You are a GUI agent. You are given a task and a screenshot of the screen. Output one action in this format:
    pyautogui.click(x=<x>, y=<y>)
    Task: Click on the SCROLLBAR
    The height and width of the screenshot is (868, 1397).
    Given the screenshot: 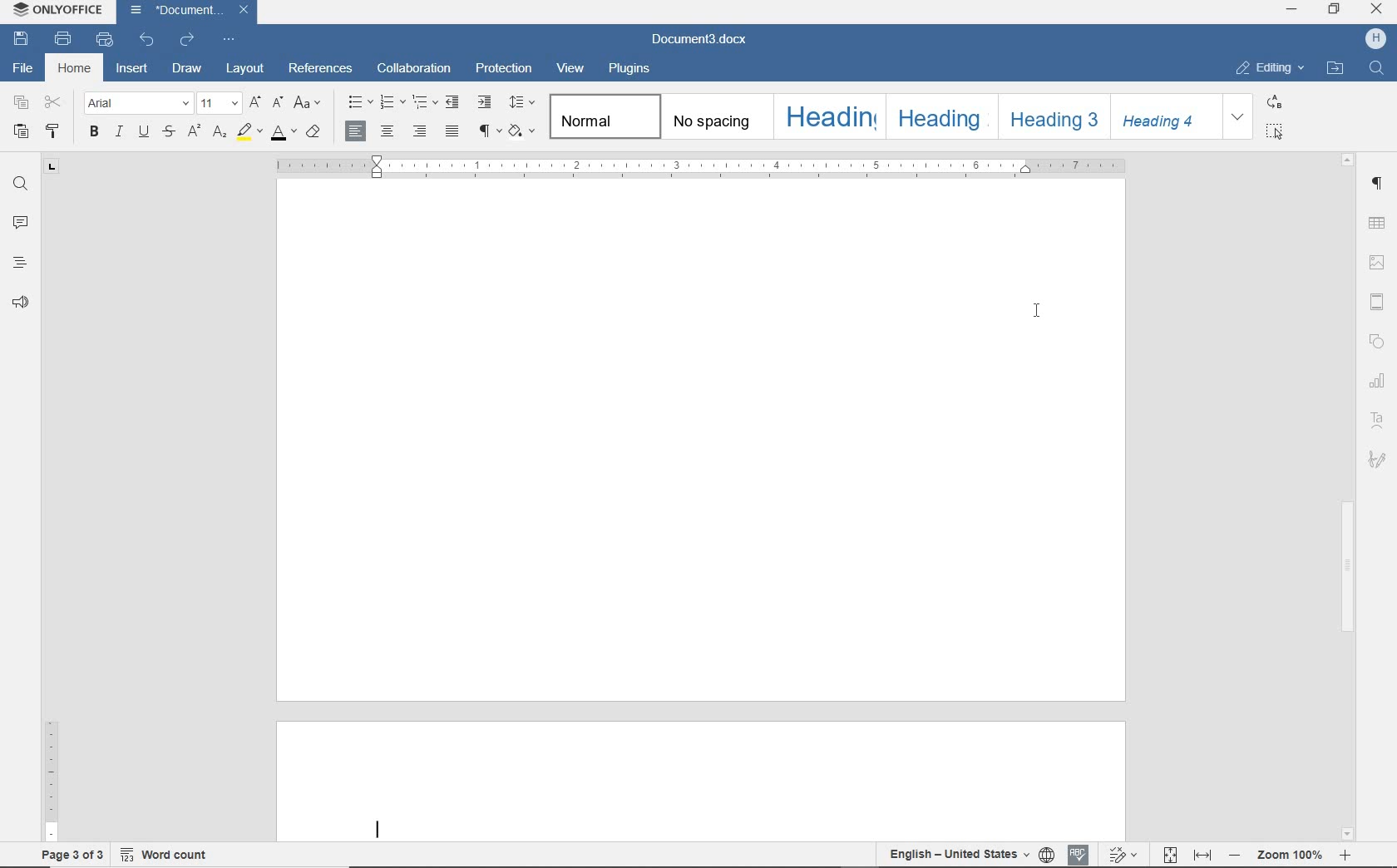 What is the action you would take?
    pyautogui.click(x=1346, y=496)
    